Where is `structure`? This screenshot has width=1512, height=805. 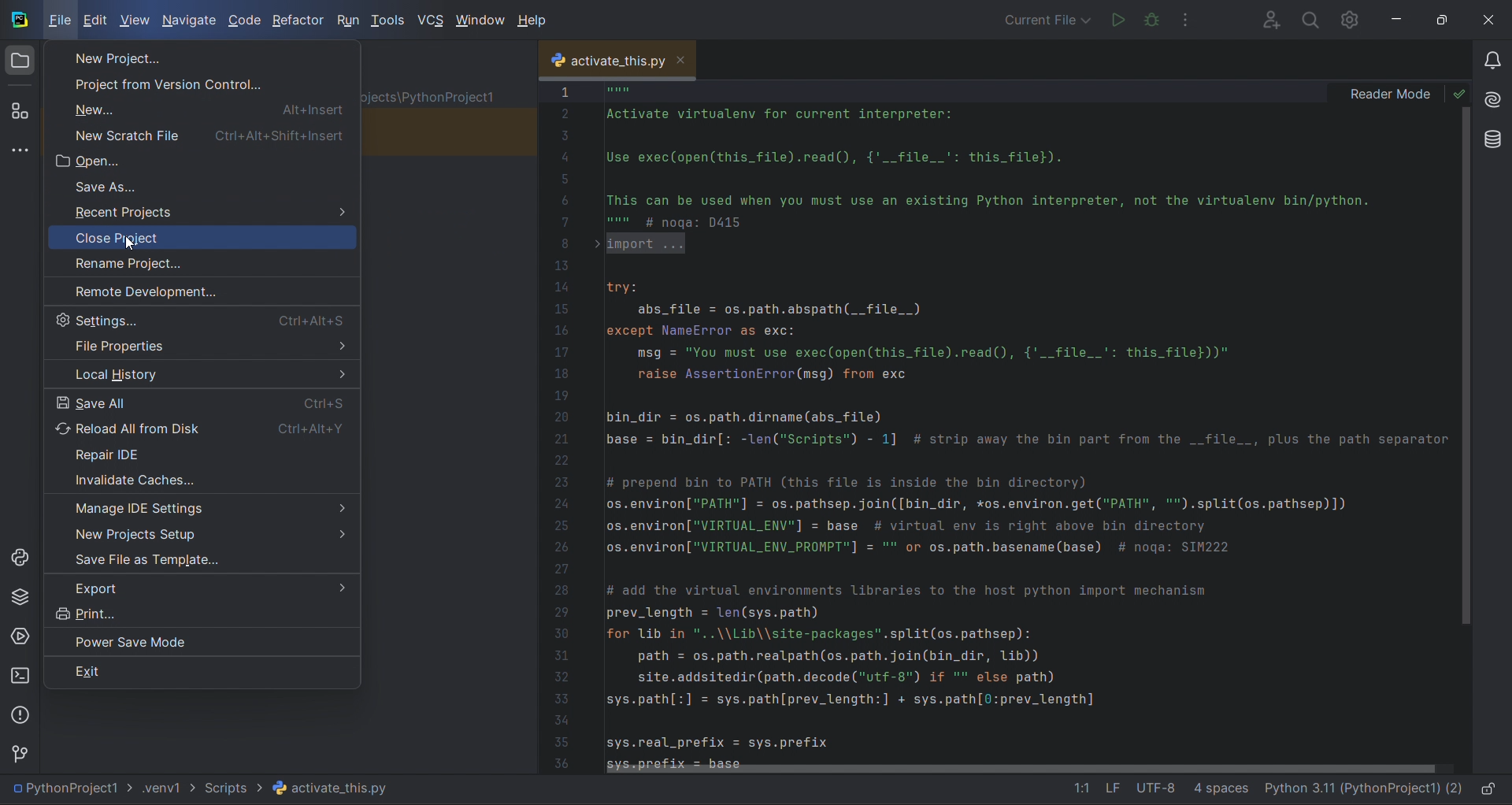 structure is located at coordinates (22, 108).